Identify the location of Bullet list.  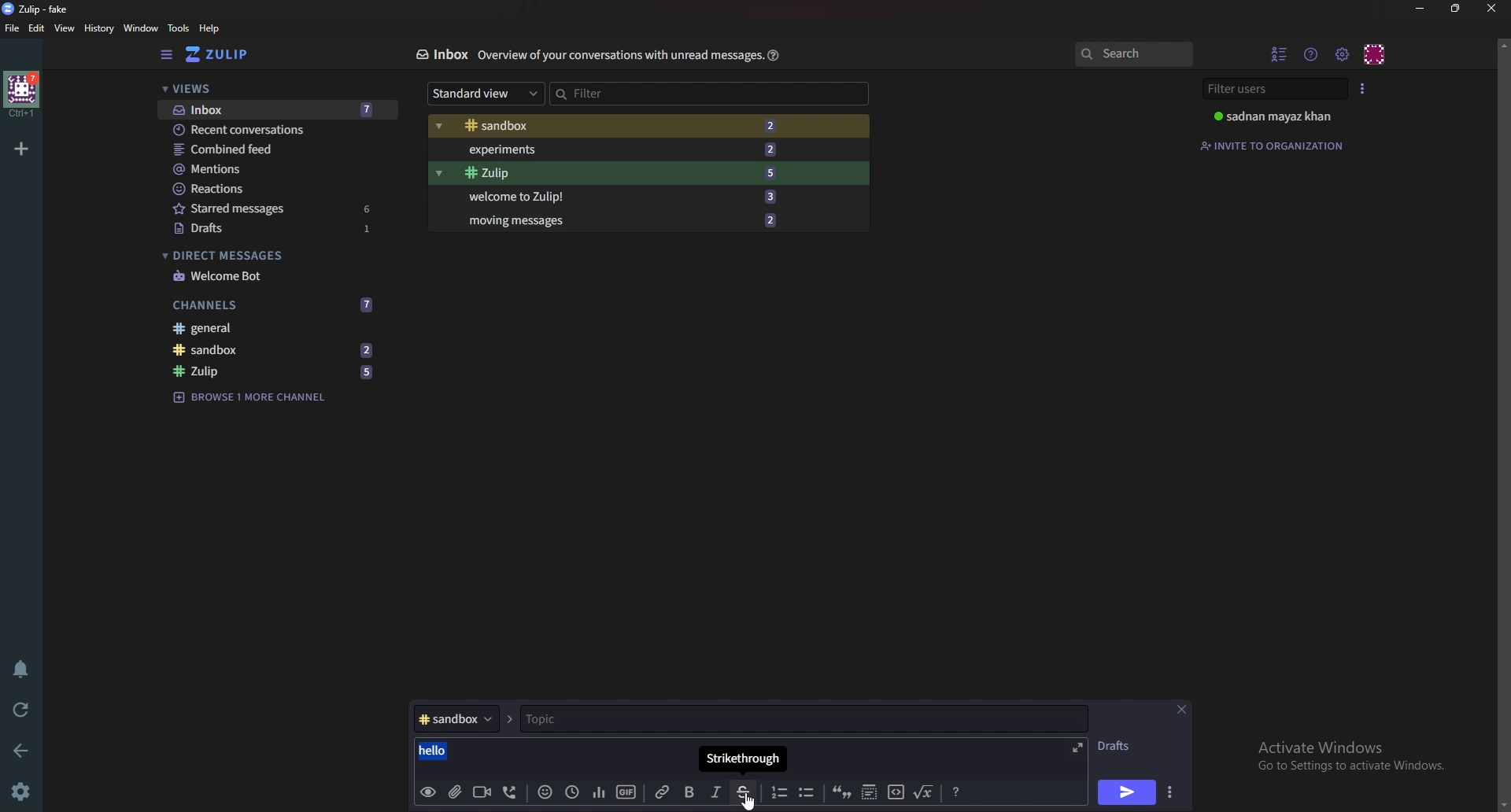
(809, 792).